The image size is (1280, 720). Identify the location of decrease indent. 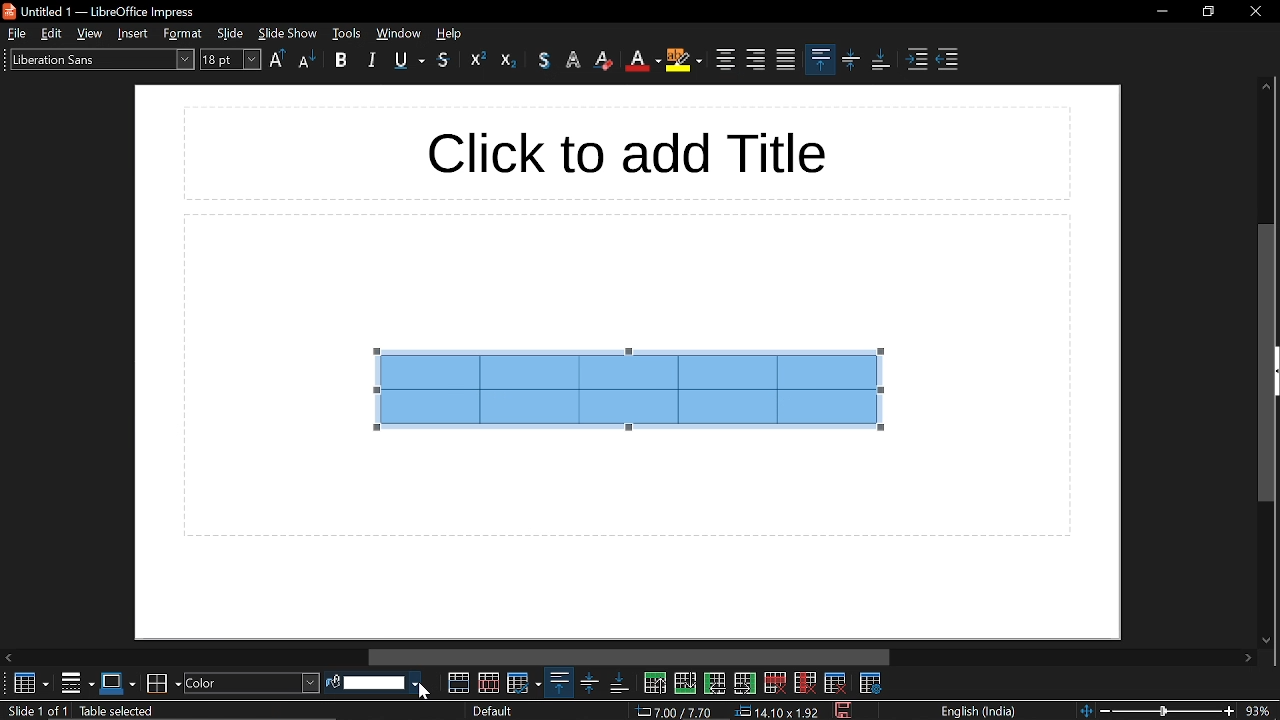
(949, 58).